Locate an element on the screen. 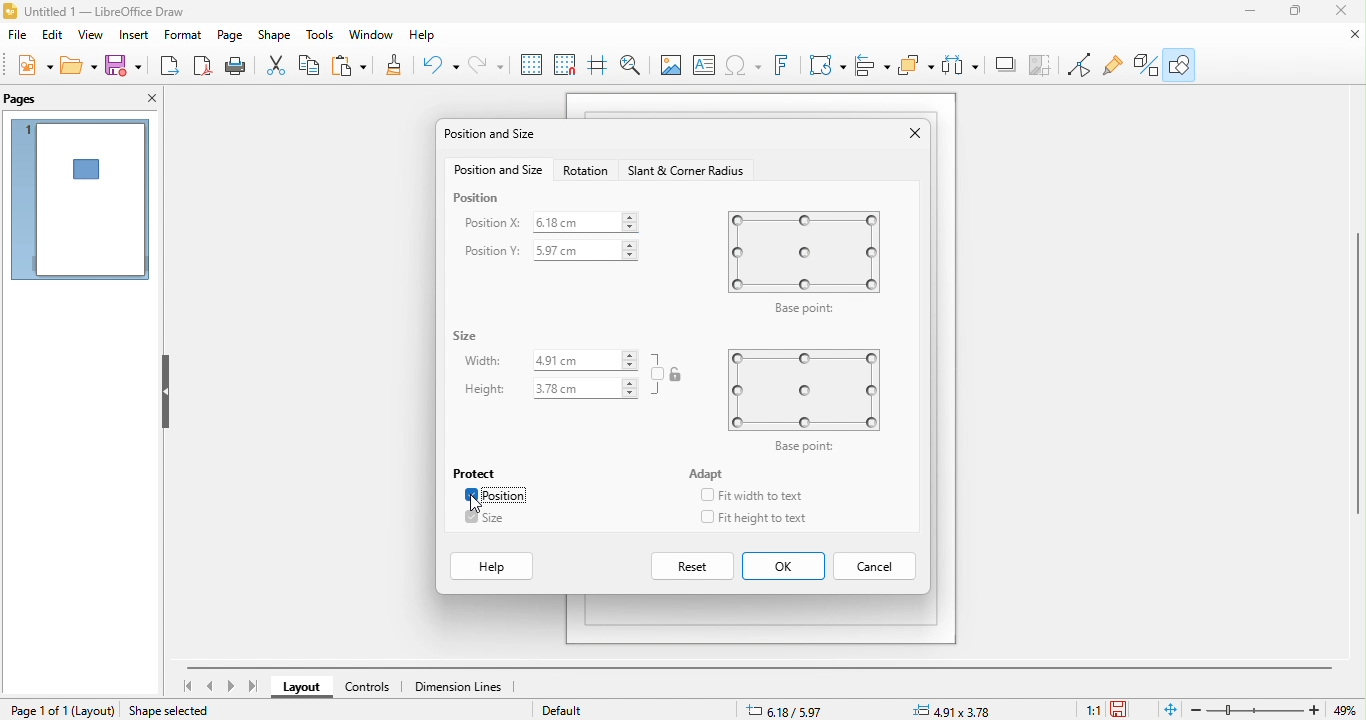 This screenshot has width=1366, height=720. horizontal scroll bar is located at coordinates (760, 667).